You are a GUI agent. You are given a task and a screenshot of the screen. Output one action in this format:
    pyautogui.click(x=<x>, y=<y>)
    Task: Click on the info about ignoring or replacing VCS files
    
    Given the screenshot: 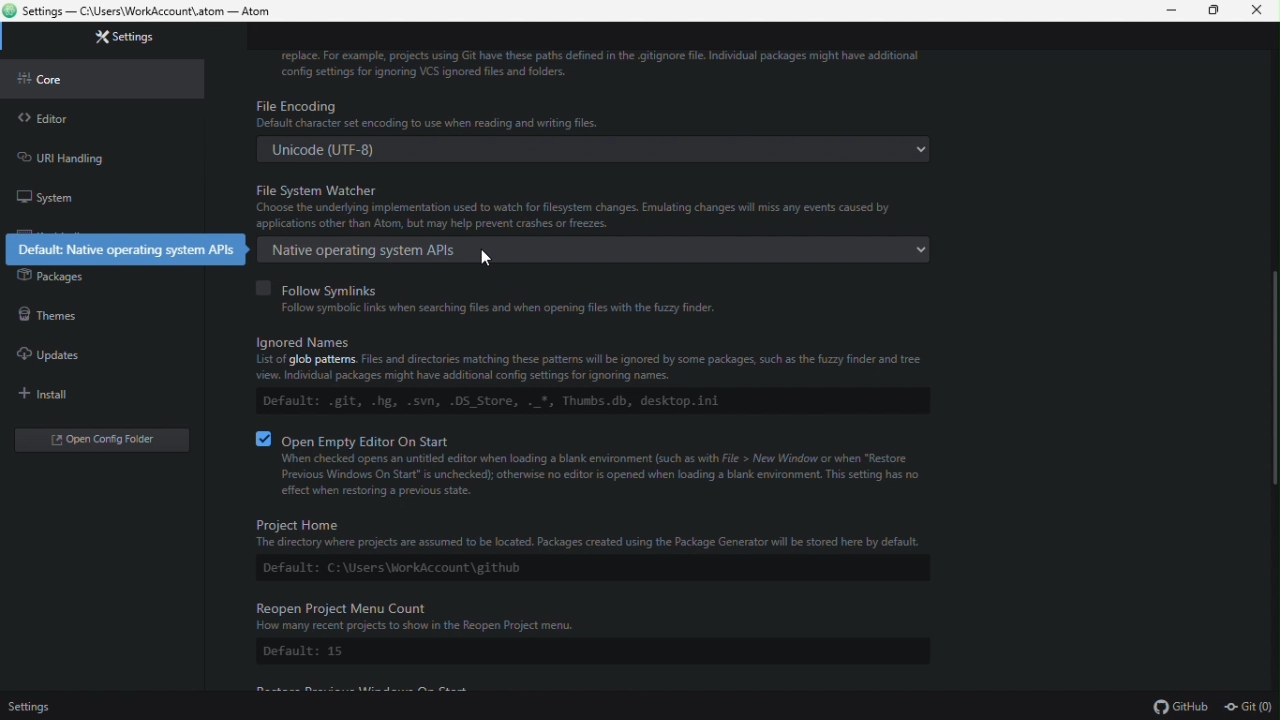 What is the action you would take?
    pyautogui.click(x=646, y=62)
    